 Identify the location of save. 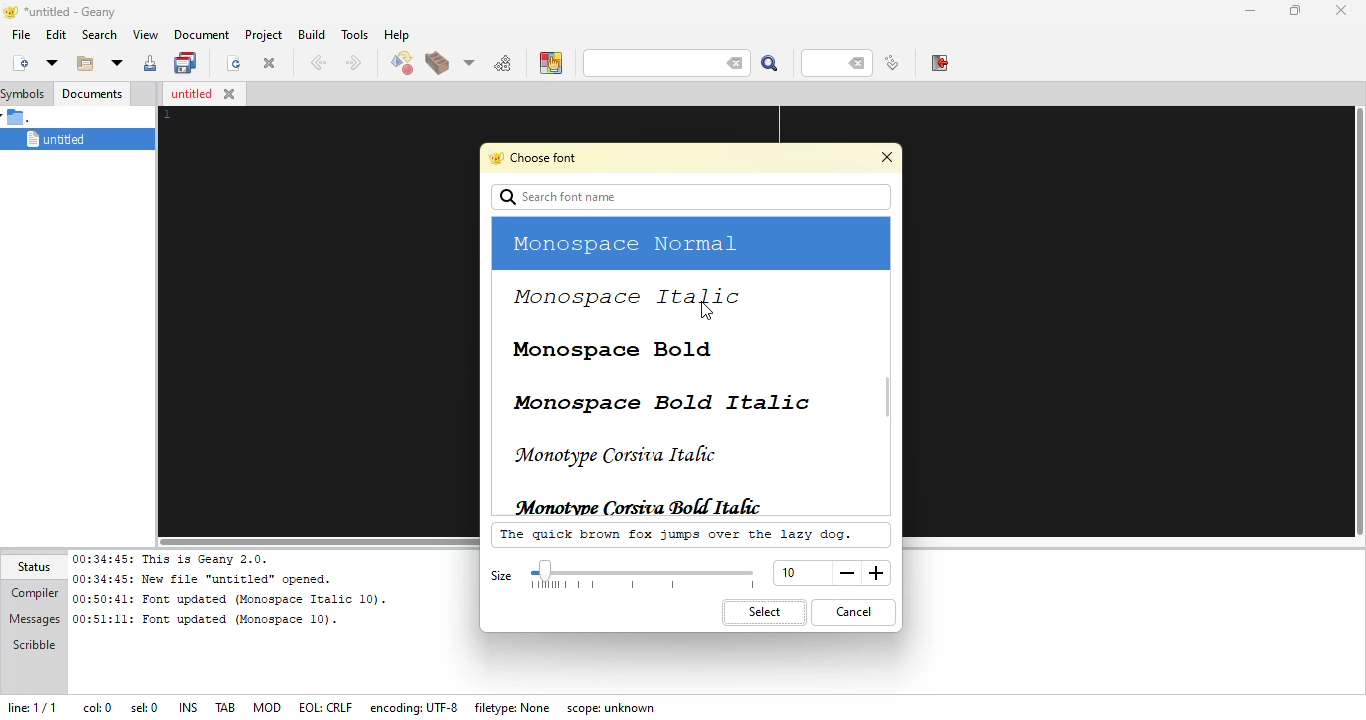
(149, 65).